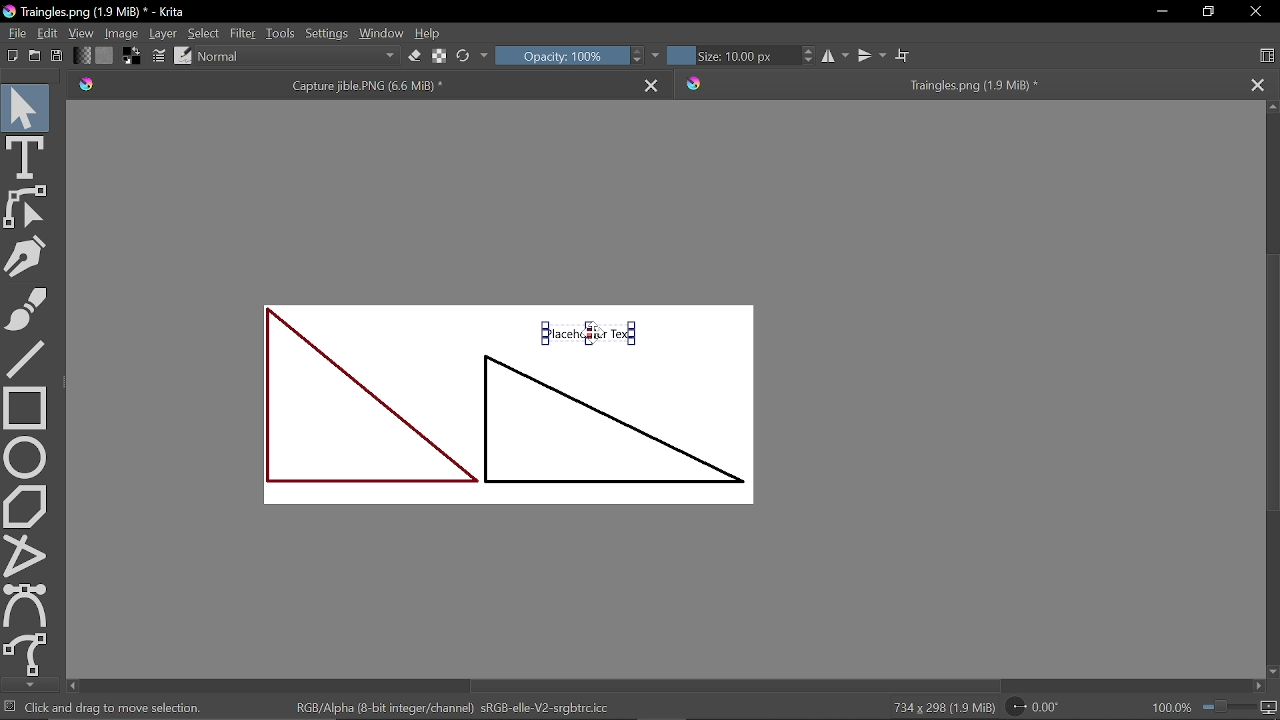  What do you see at coordinates (203, 33) in the screenshot?
I see `Select` at bounding box center [203, 33].